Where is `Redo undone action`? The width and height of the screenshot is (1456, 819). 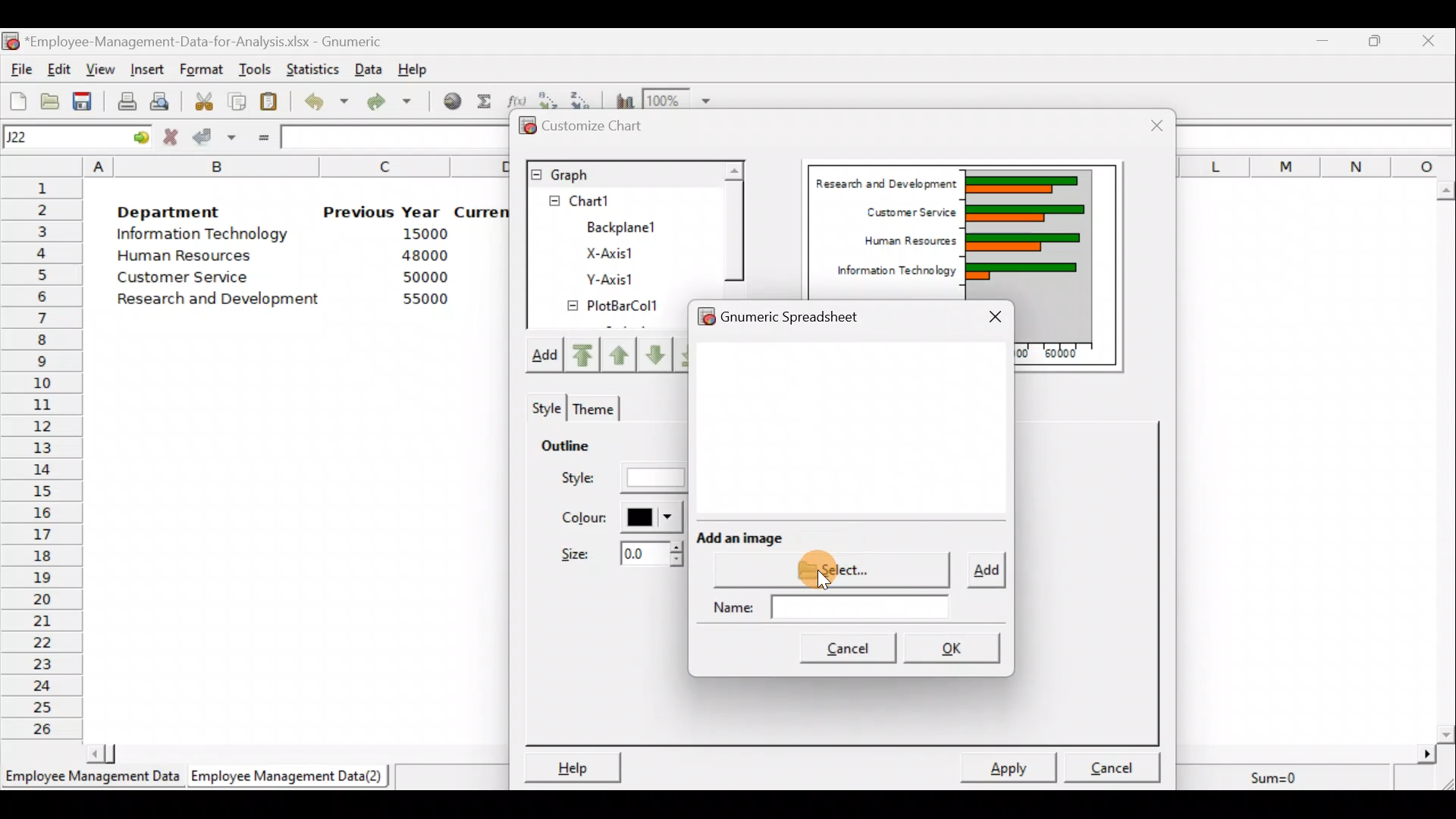
Redo undone action is located at coordinates (397, 103).